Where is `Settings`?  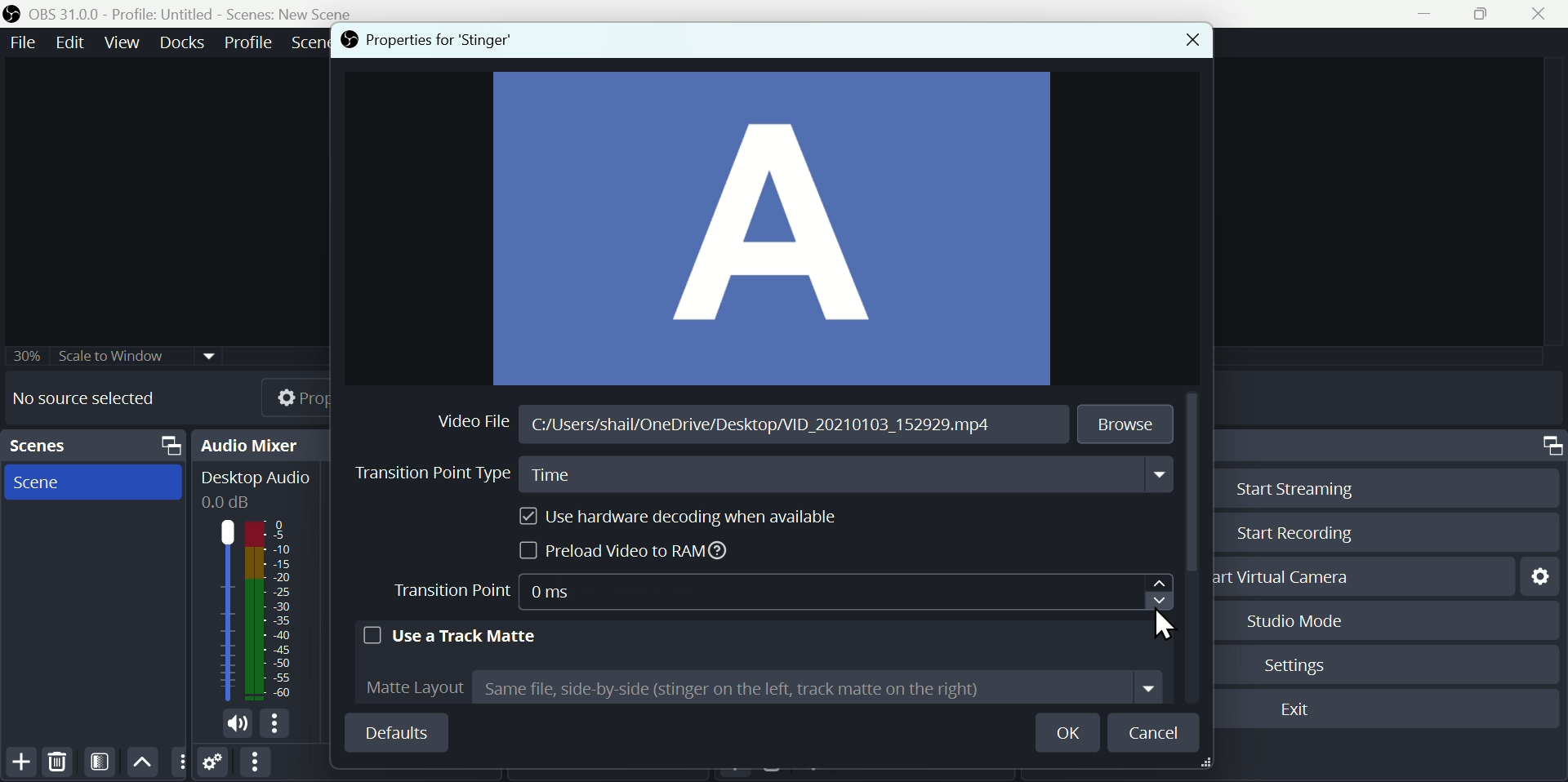 Settings is located at coordinates (1301, 663).